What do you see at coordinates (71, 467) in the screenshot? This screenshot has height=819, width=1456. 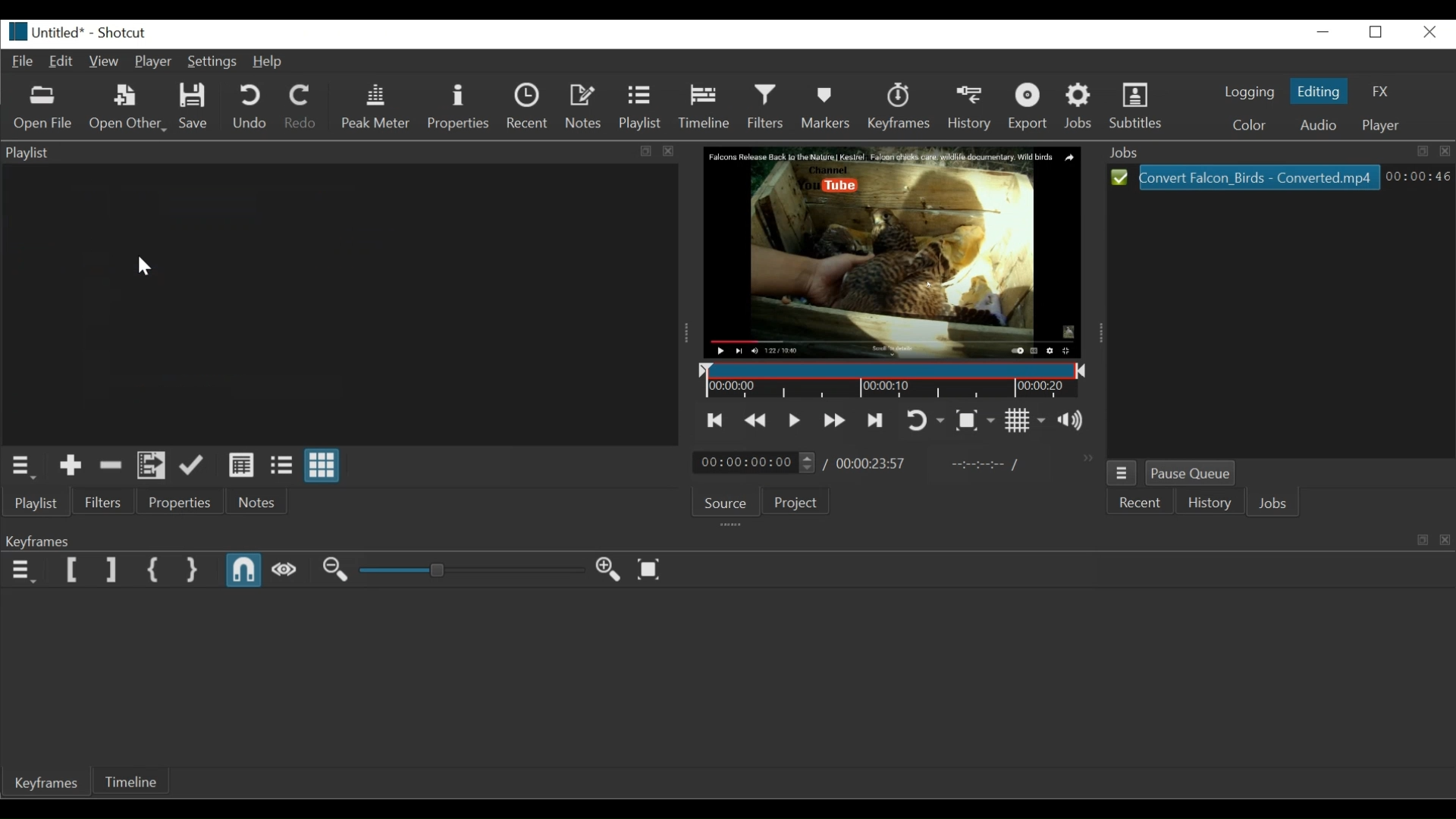 I see `Add to the playlist` at bounding box center [71, 467].